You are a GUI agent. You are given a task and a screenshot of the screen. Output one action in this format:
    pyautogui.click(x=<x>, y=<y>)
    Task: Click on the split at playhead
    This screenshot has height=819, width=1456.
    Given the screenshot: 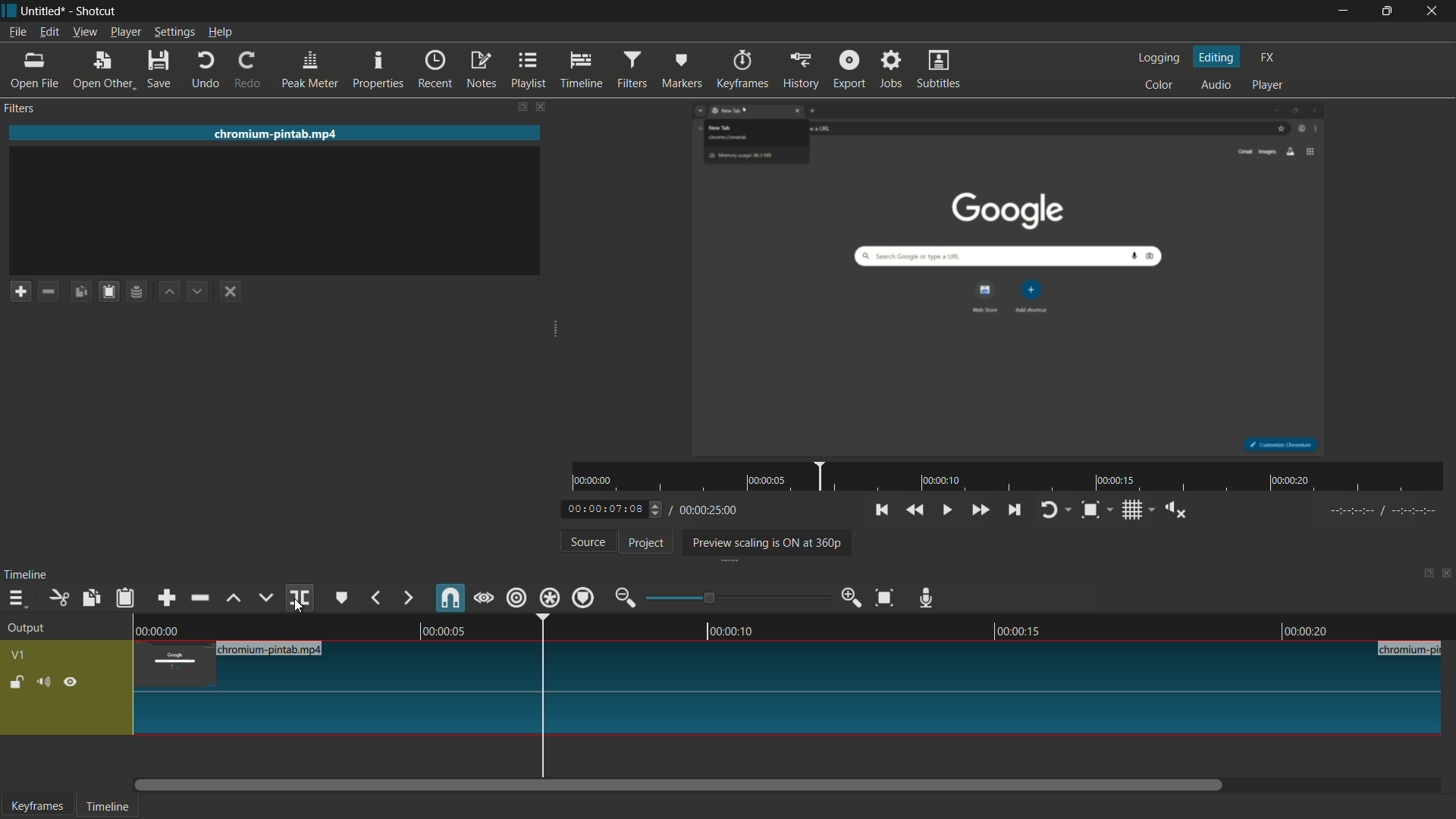 What is the action you would take?
    pyautogui.click(x=300, y=598)
    